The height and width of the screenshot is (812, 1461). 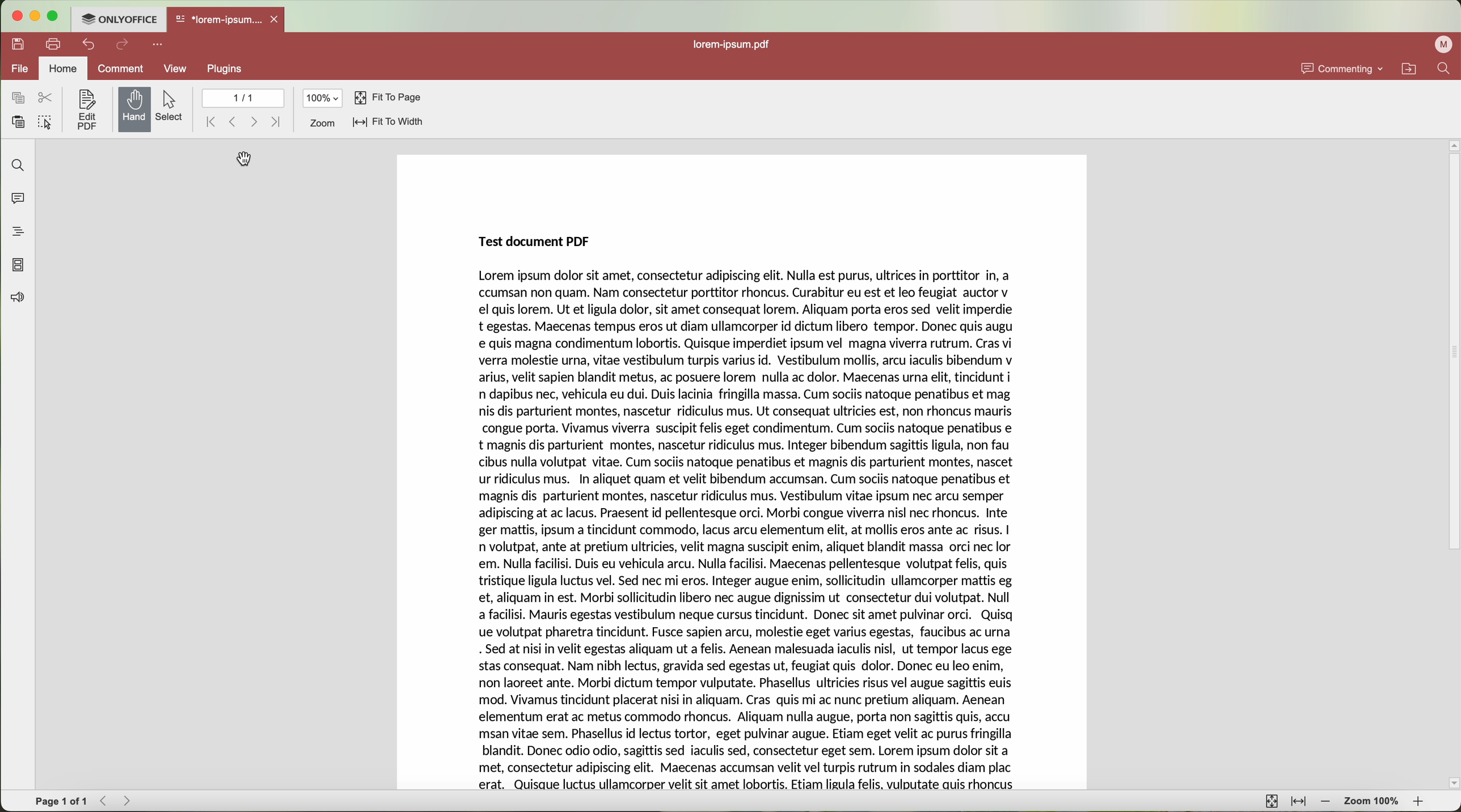 I want to click on cut, so click(x=47, y=98).